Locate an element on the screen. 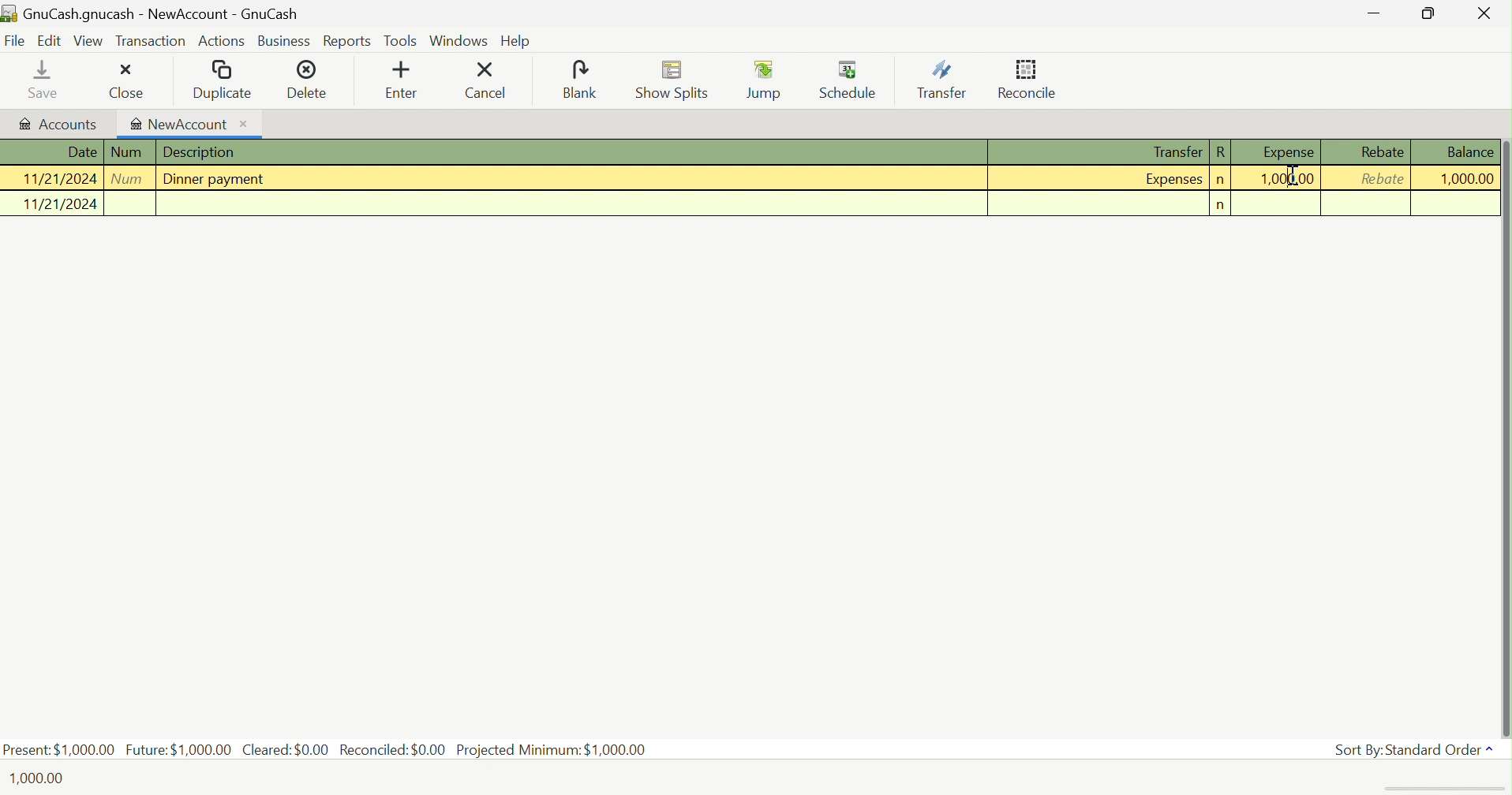 The width and height of the screenshot is (1512, 795). Blank is located at coordinates (580, 79).